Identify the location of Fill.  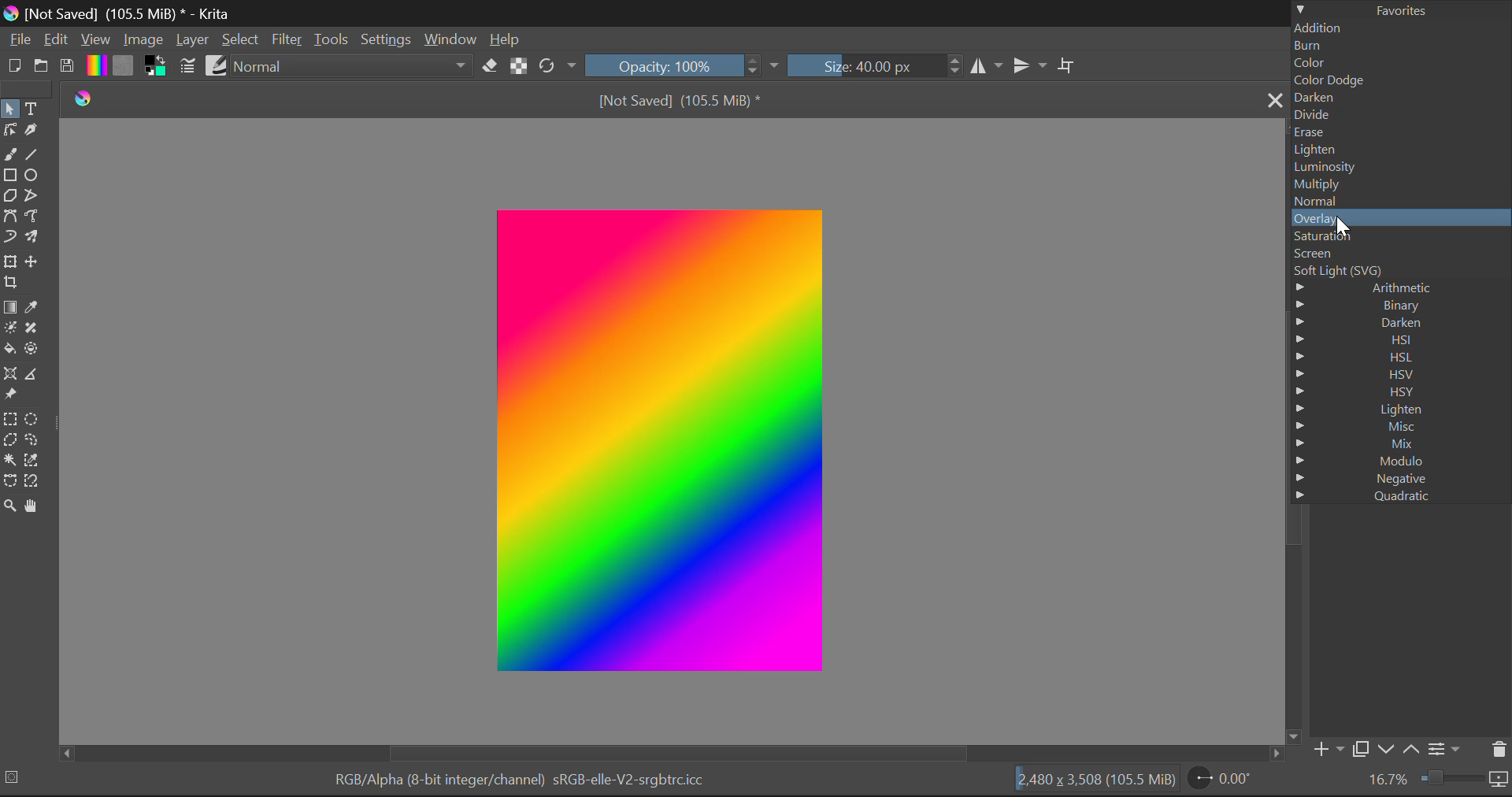
(10, 350).